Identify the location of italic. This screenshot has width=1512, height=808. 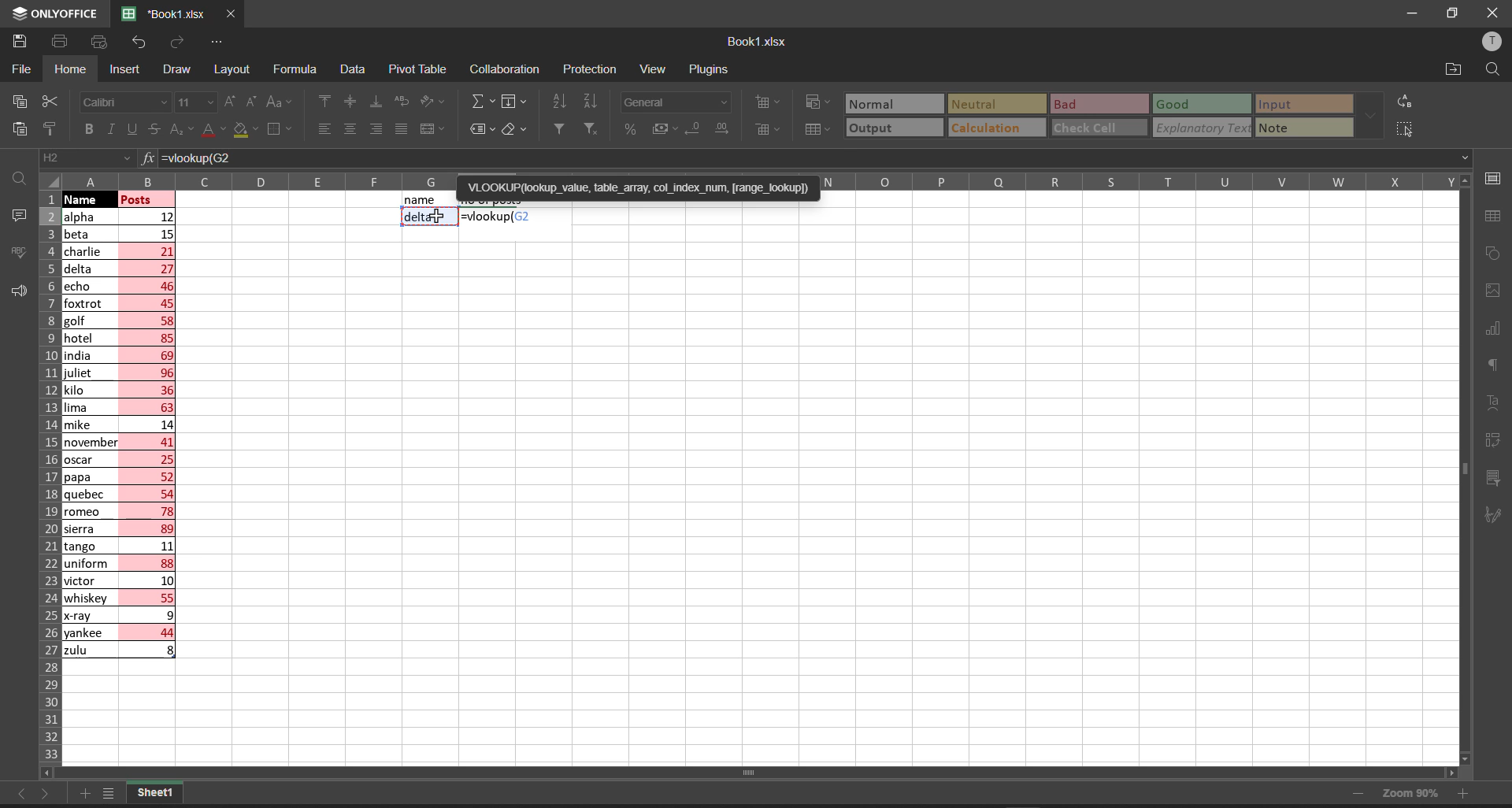
(109, 129).